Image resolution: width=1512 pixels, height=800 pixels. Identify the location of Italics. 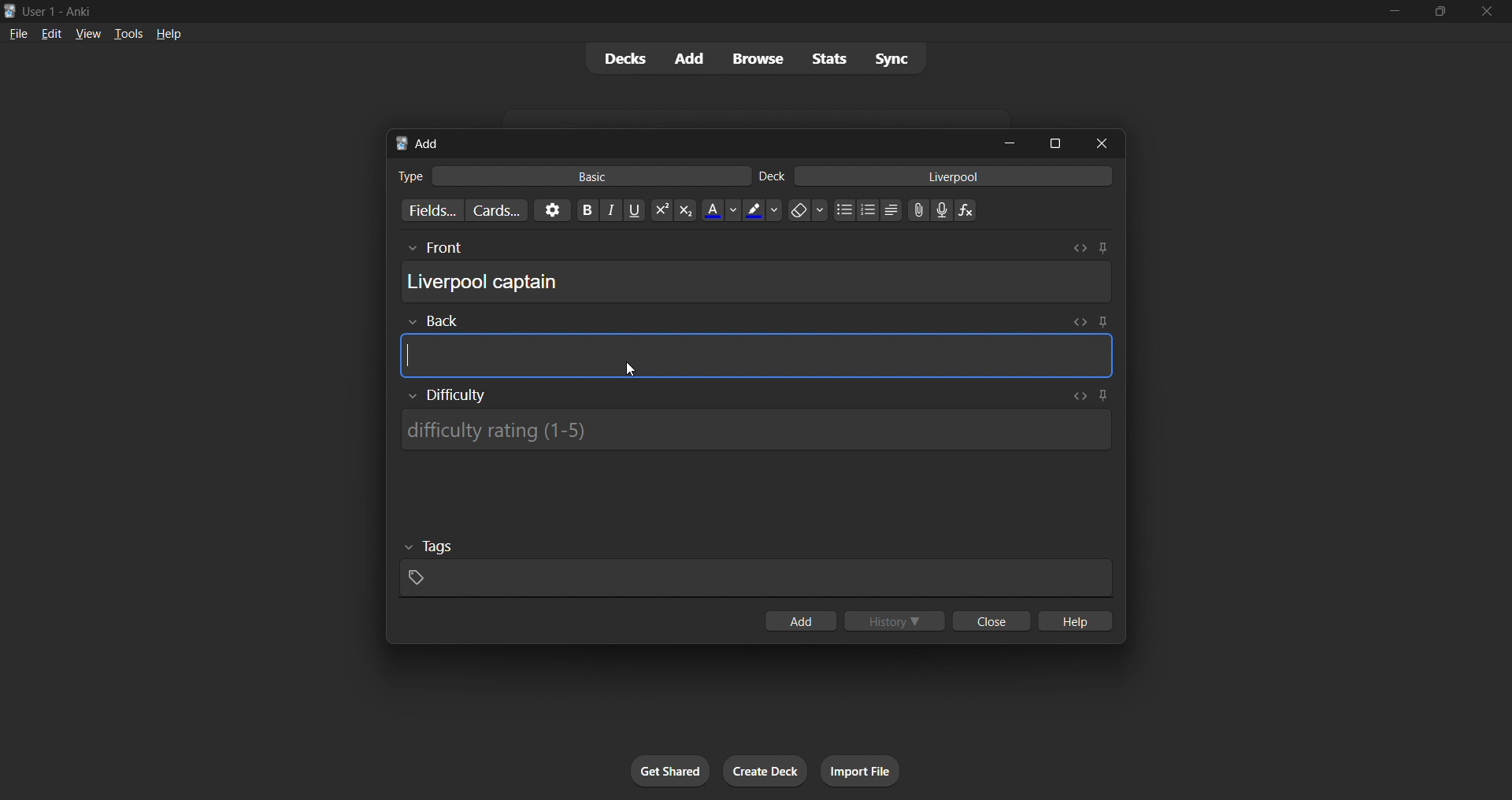
(611, 210).